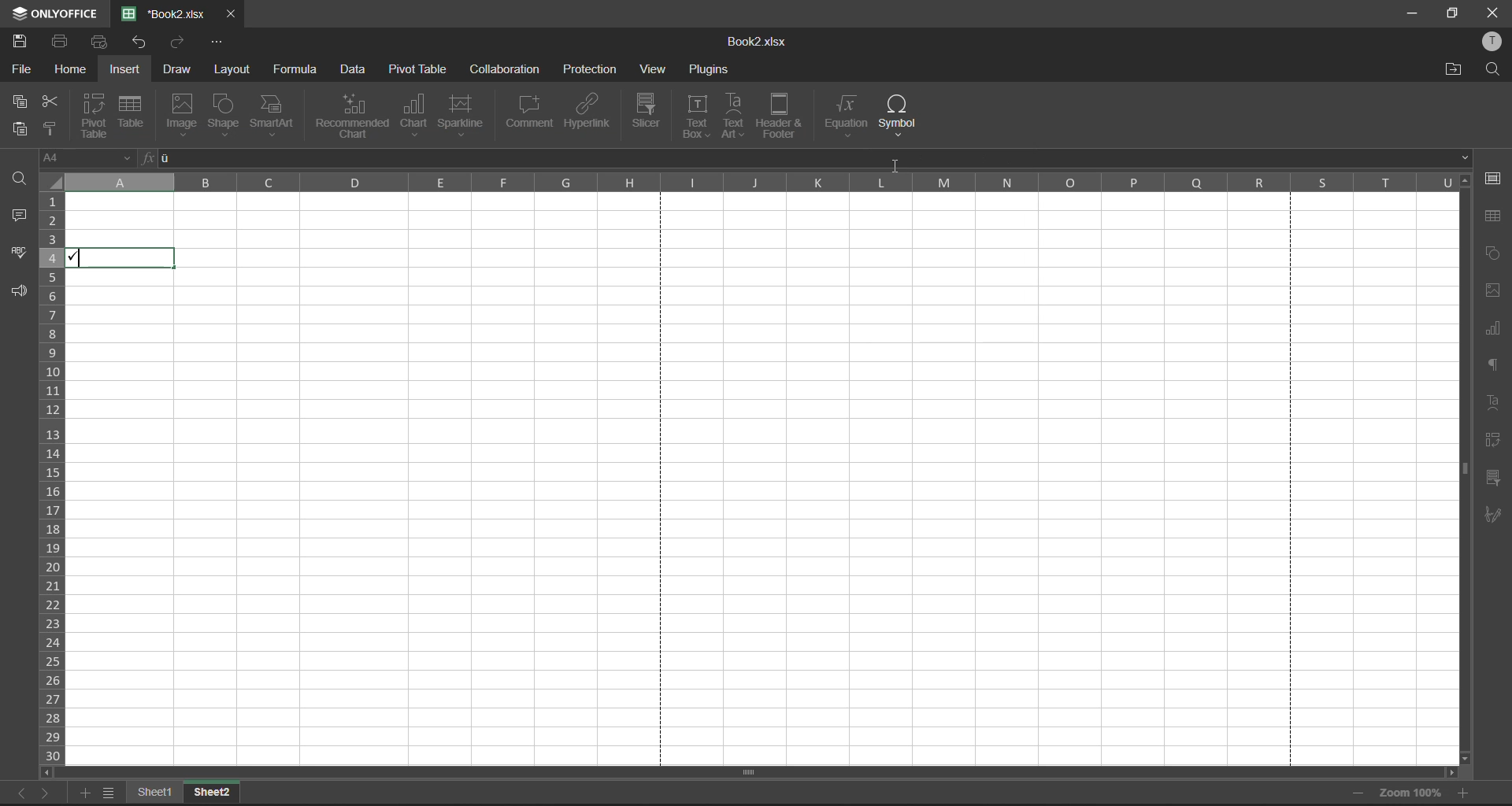 This screenshot has width=1512, height=806. What do you see at coordinates (109, 794) in the screenshot?
I see `sheet list` at bounding box center [109, 794].